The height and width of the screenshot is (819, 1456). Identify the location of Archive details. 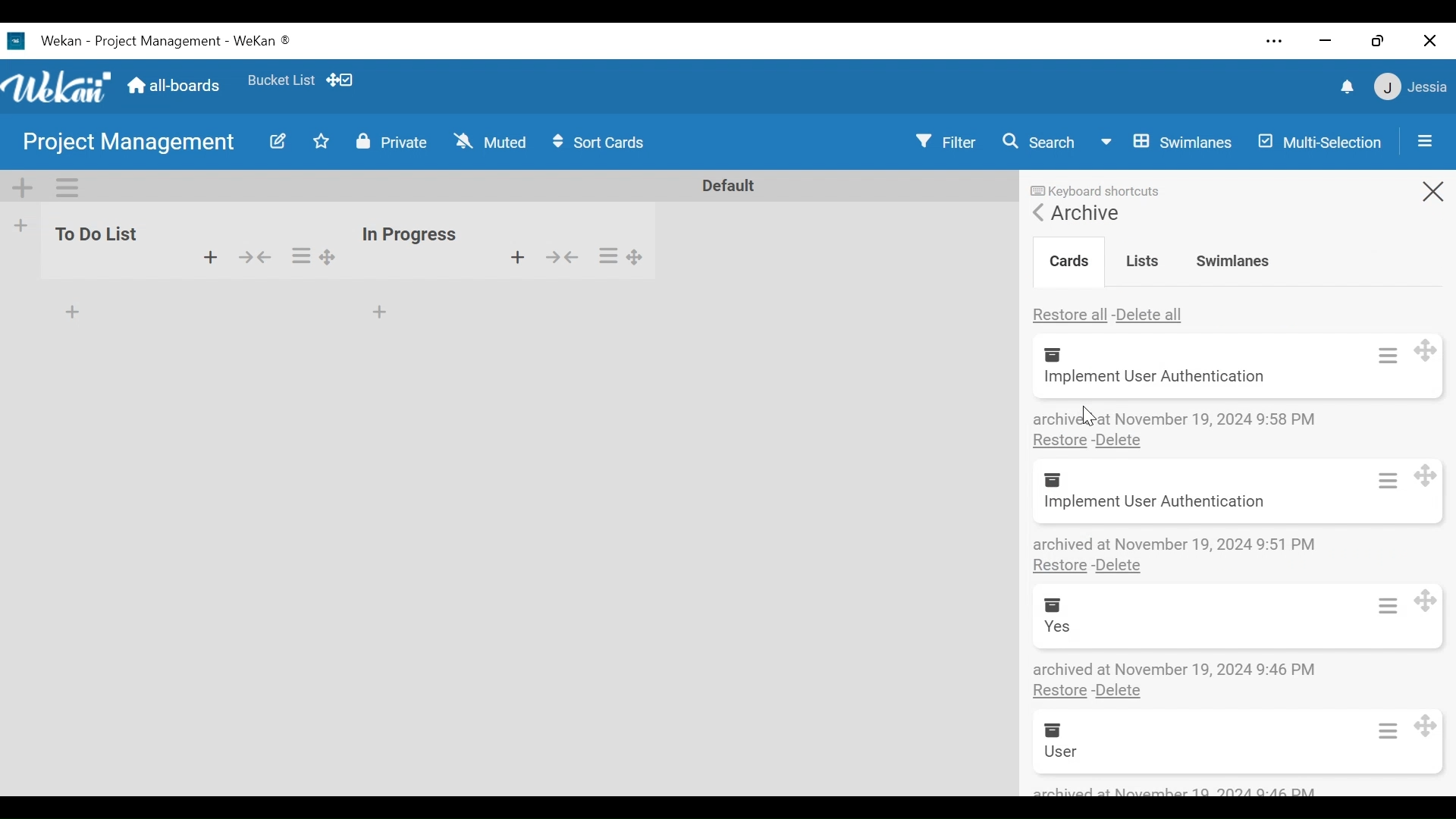
(1176, 419).